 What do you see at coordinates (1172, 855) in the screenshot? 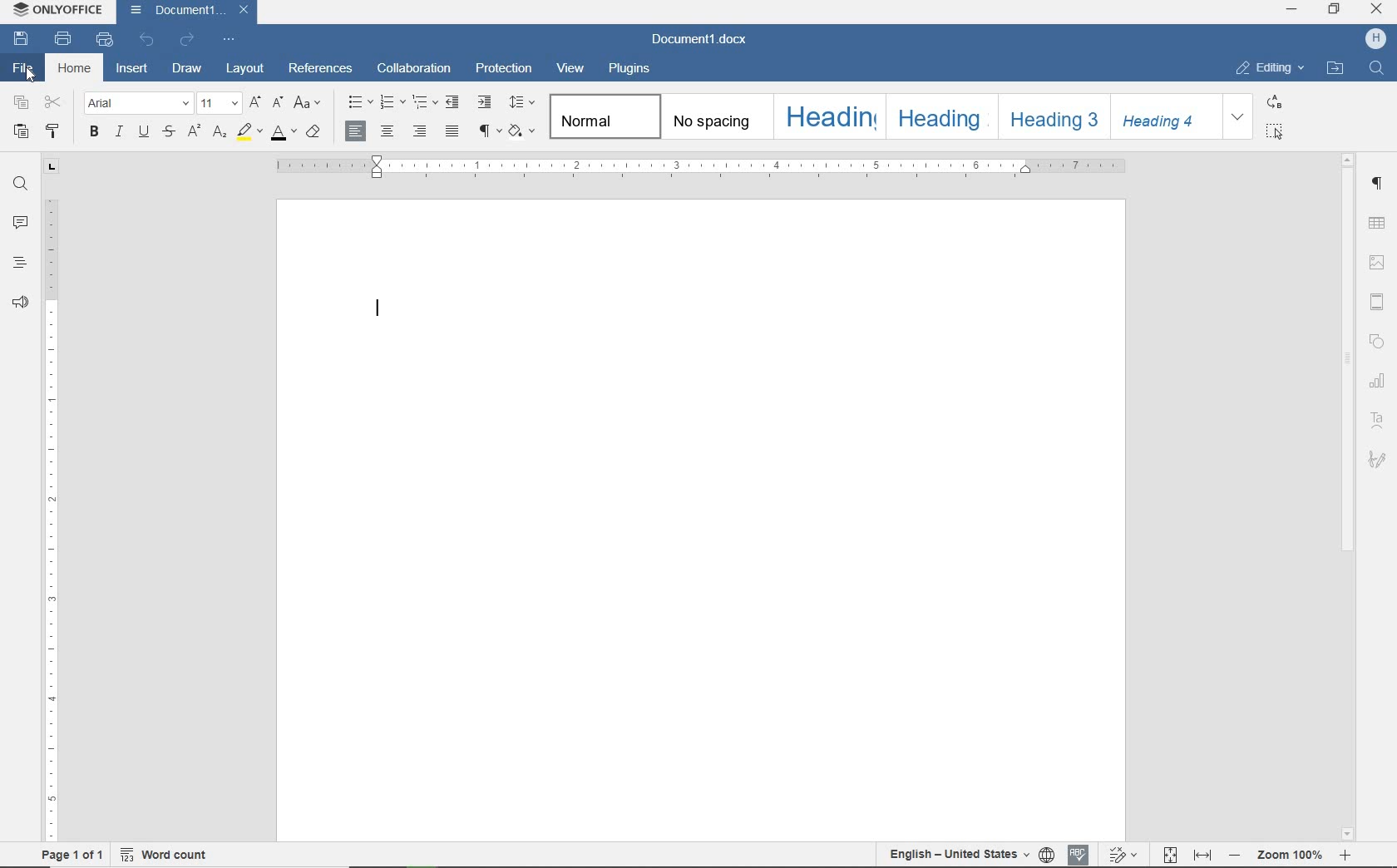
I see `fit to page` at bounding box center [1172, 855].